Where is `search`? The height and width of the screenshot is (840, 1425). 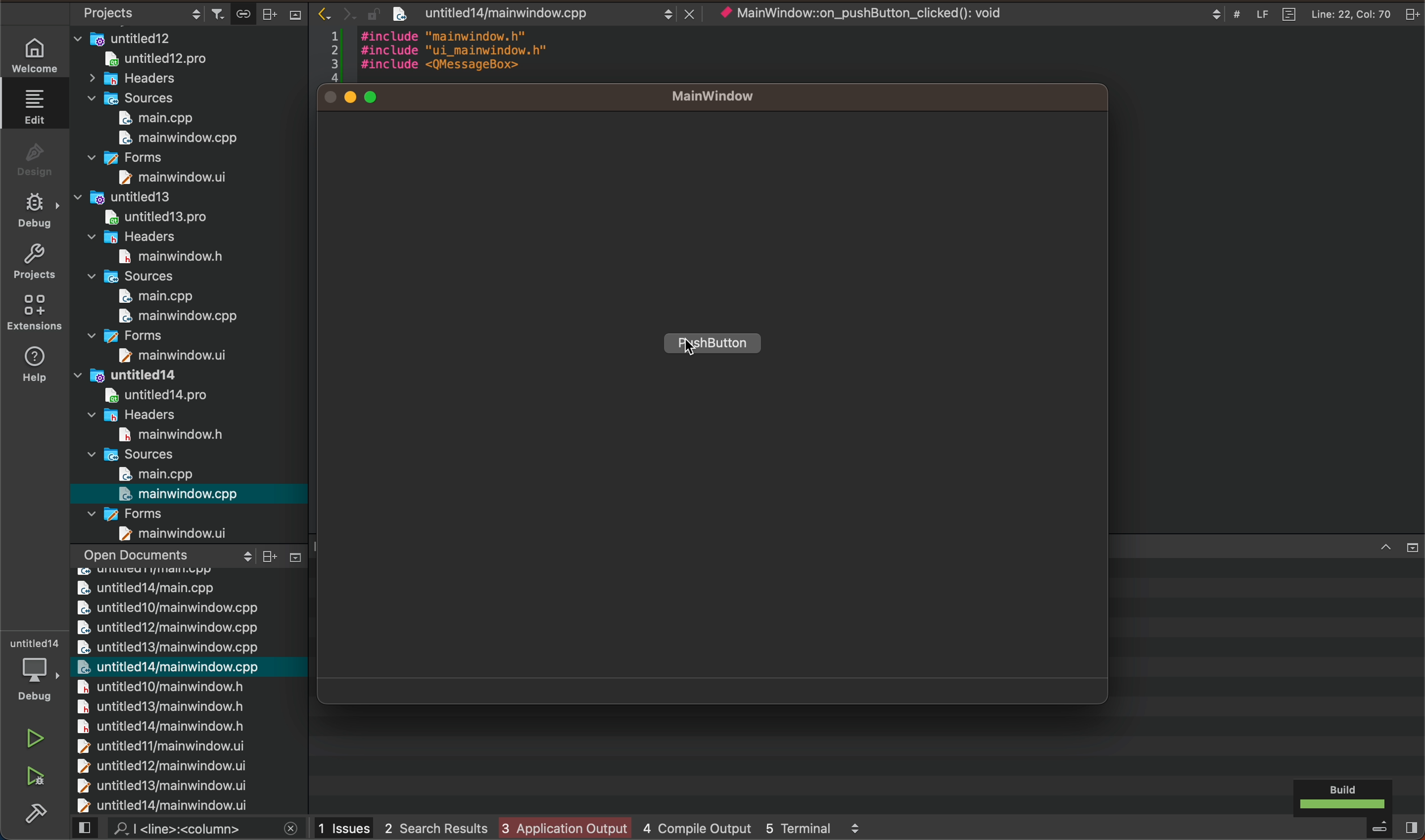
search is located at coordinates (188, 829).